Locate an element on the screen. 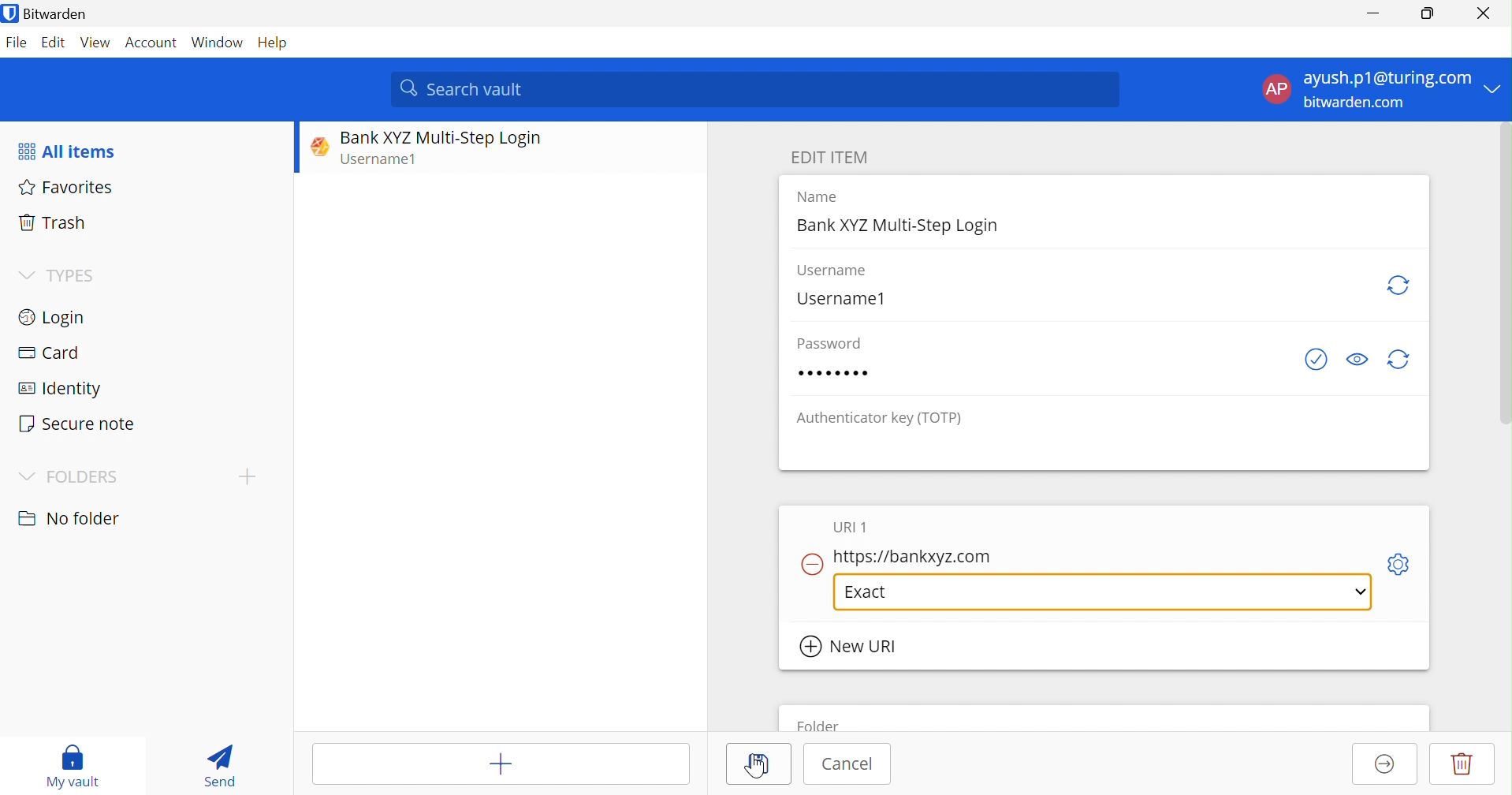  Save is located at coordinates (763, 763).